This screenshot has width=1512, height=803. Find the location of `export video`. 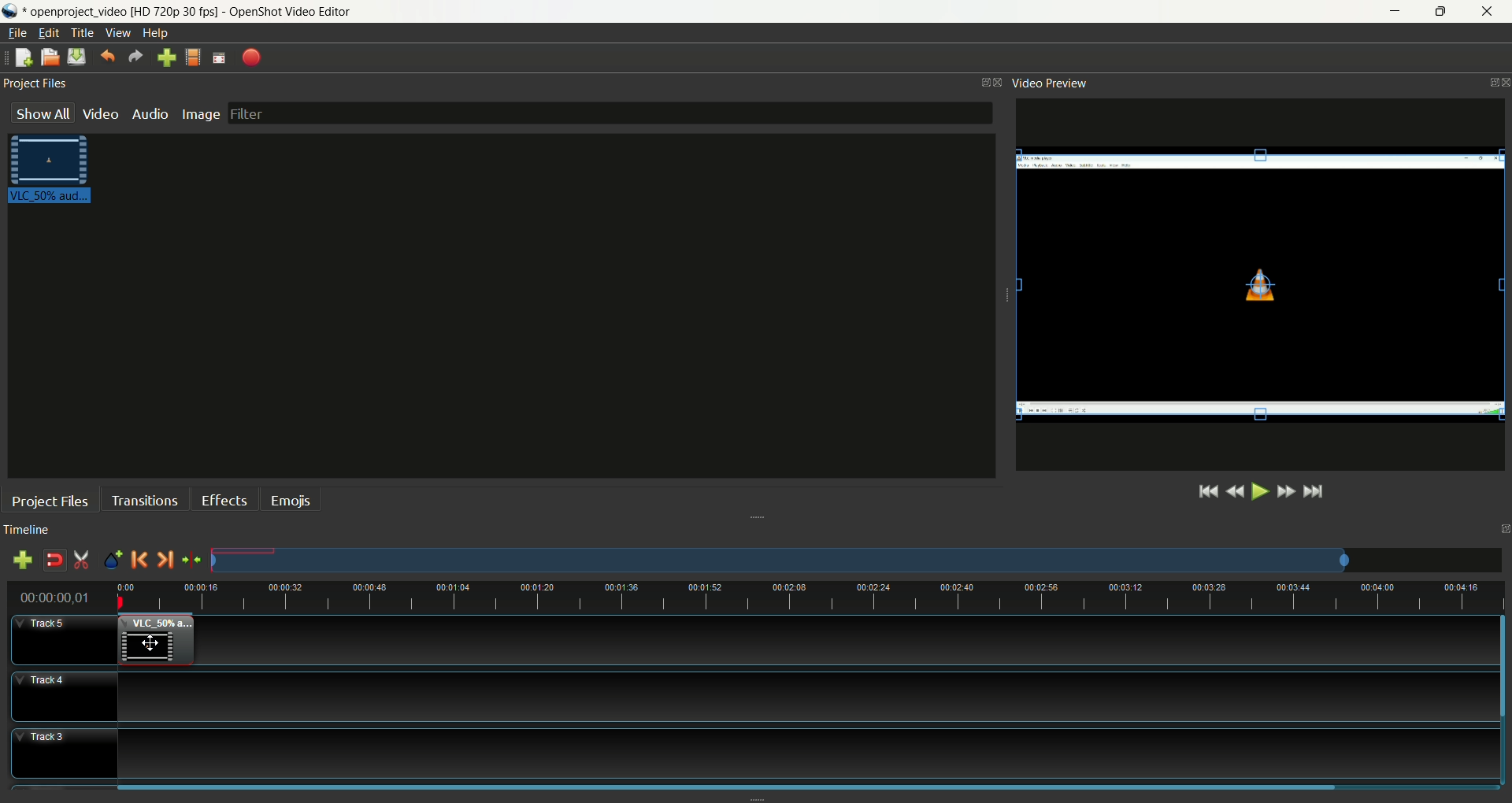

export video is located at coordinates (252, 57).